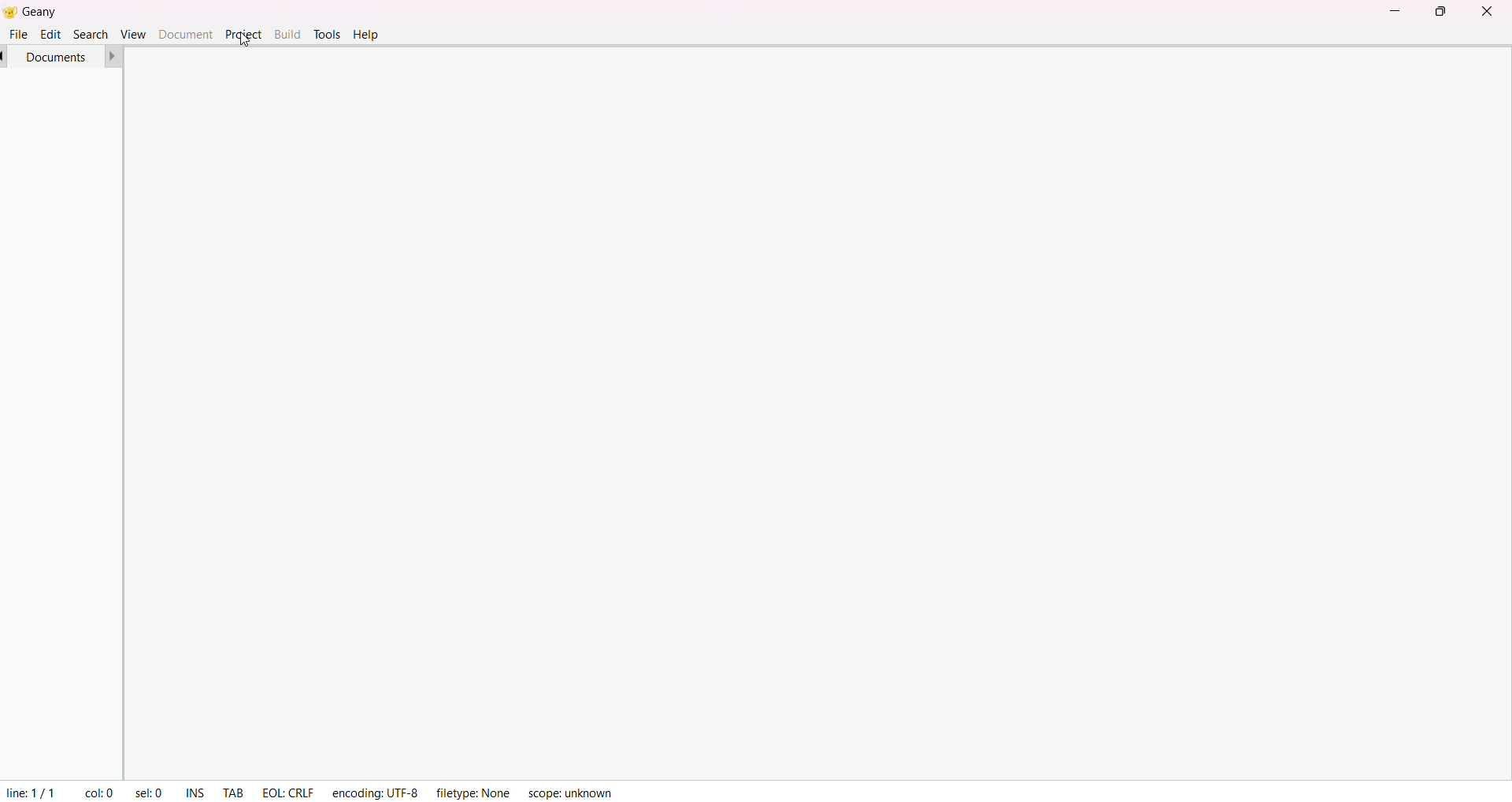  I want to click on line 1/1, so click(29, 790).